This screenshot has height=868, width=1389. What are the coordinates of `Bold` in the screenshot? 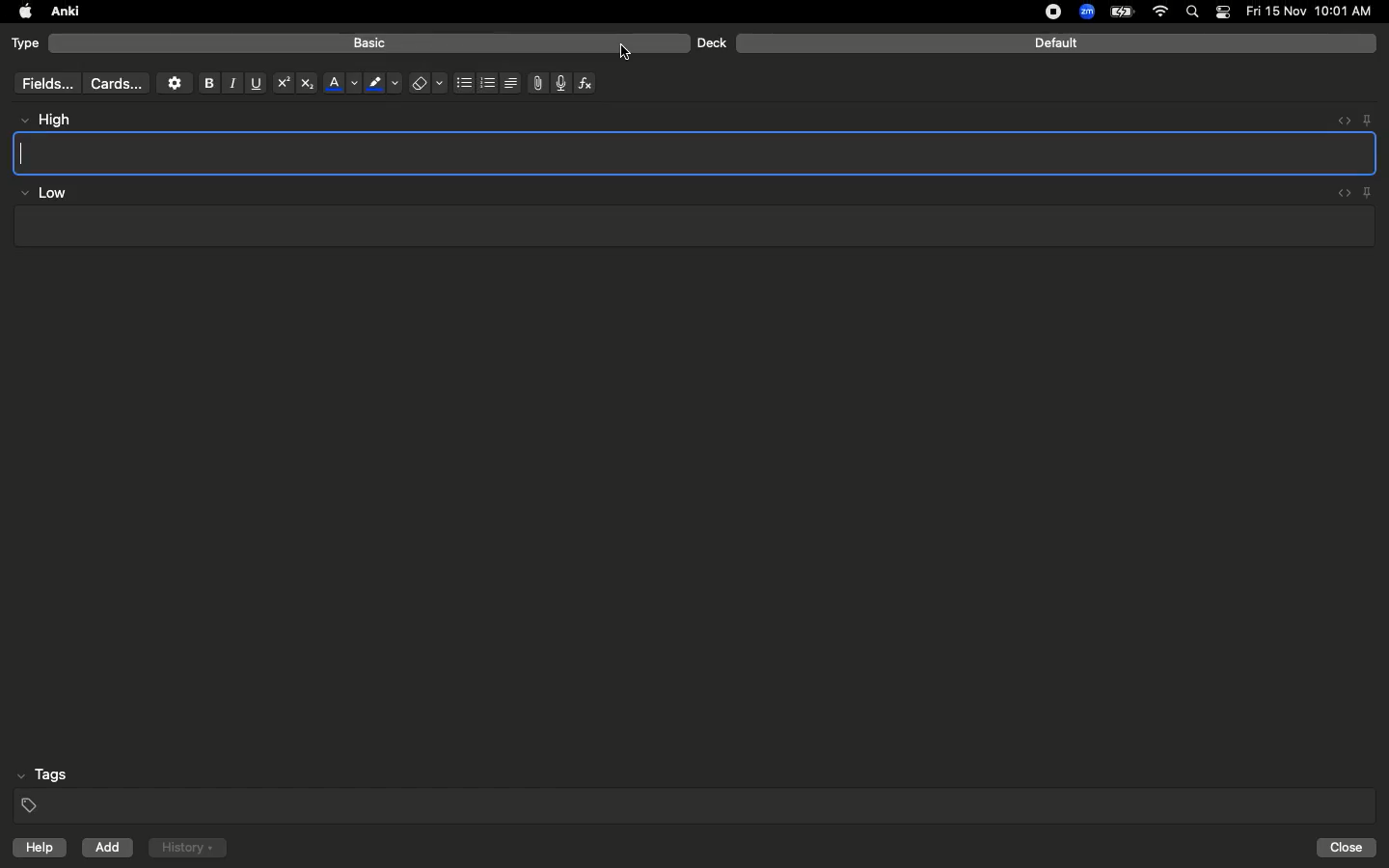 It's located at (207, 82).